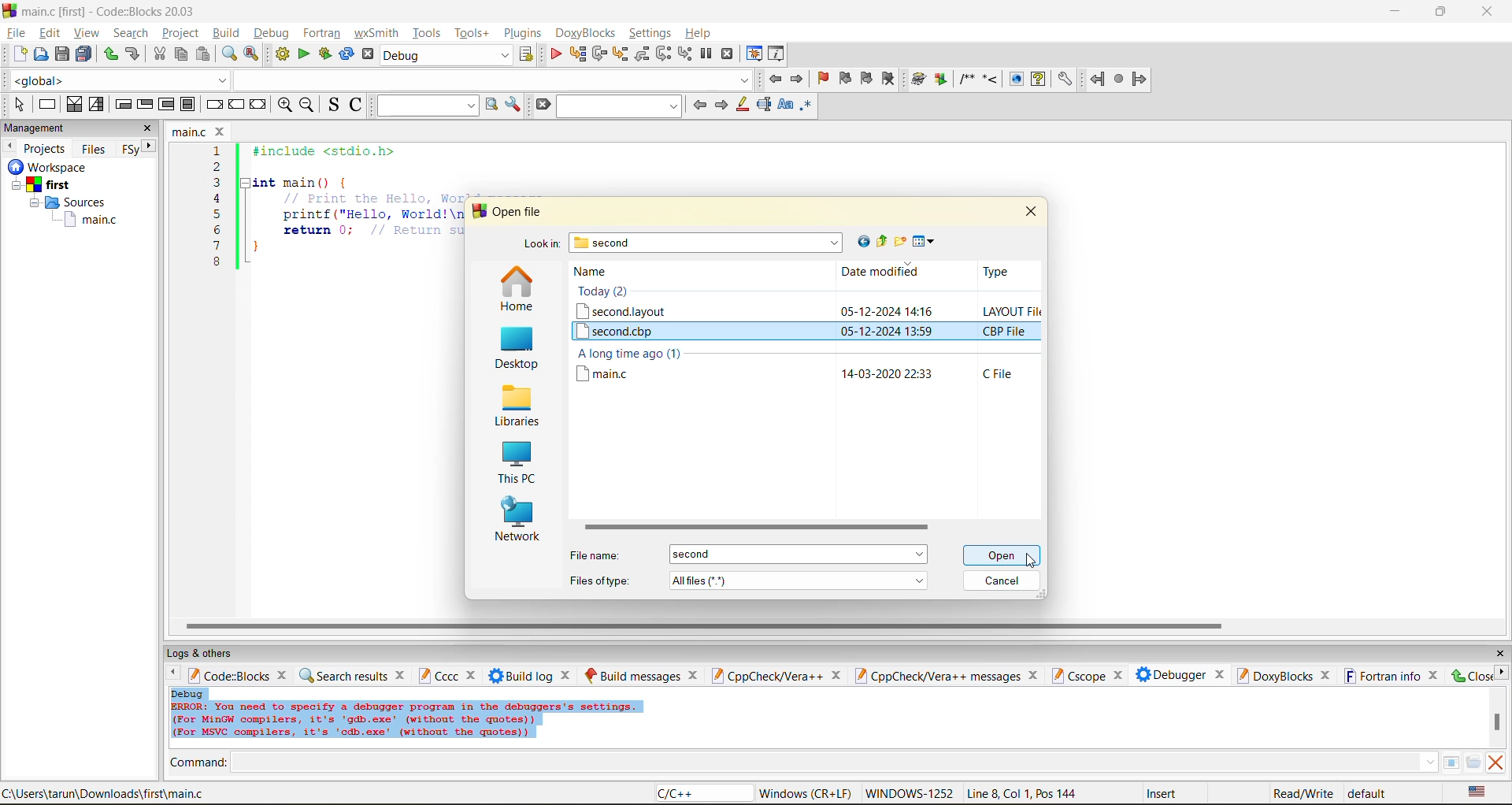 The height and width of the screenshot is (805, 1512). I want to click on dropdown, so click(491, 80).